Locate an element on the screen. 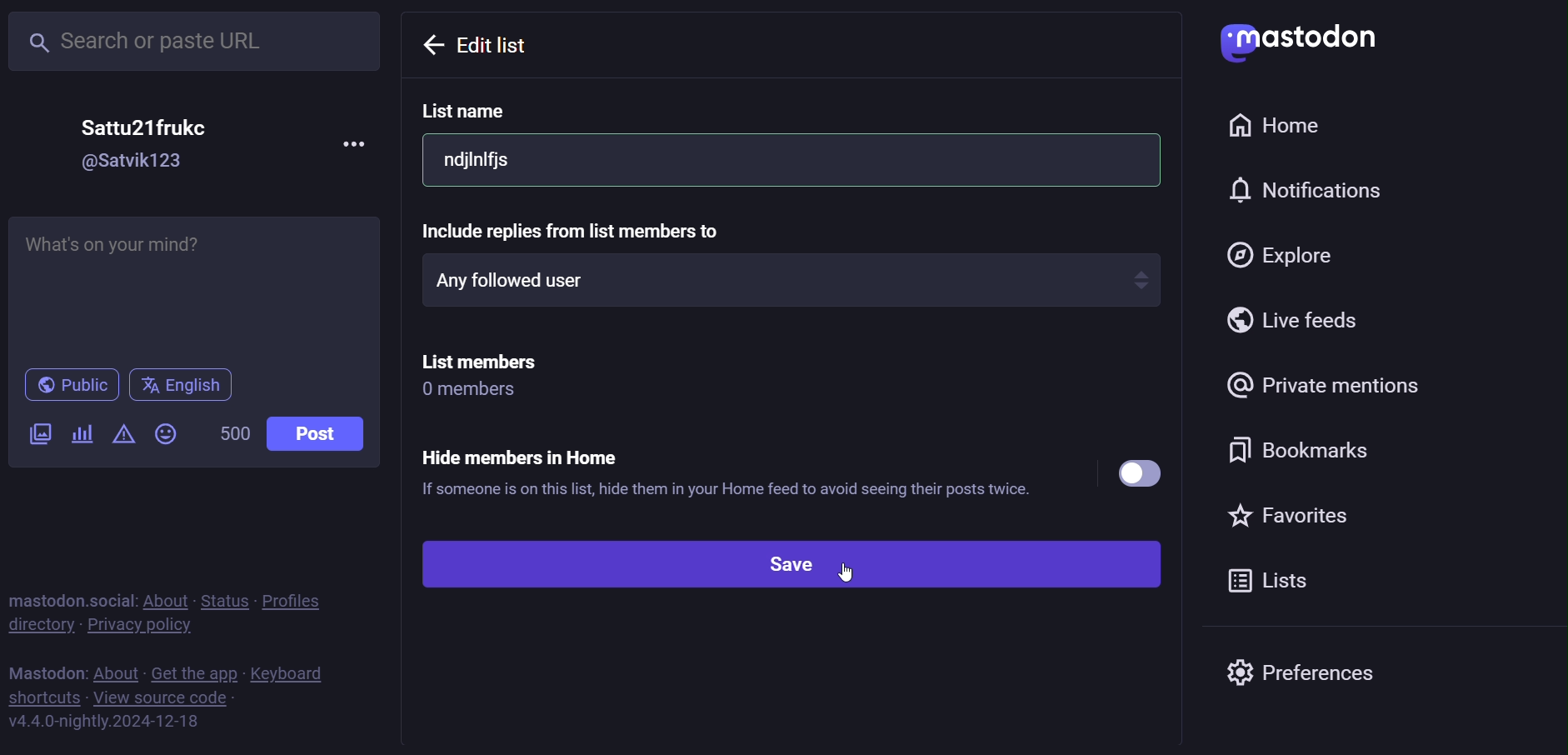 The width and height of the screenshot is (1568, 755). post is located at coordinates (327, 433).